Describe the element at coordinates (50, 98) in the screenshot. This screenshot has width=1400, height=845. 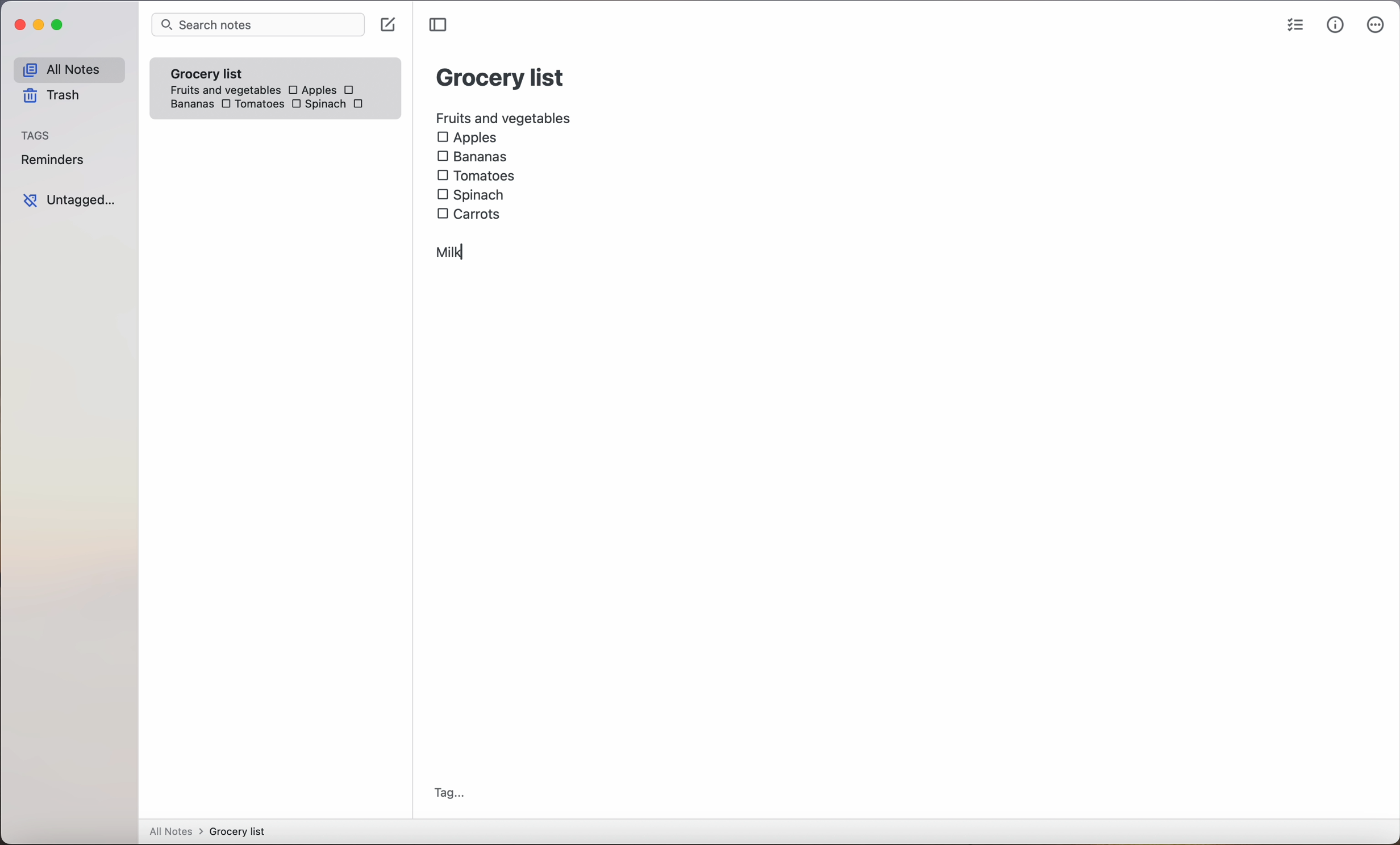
I see `trash` at that location.